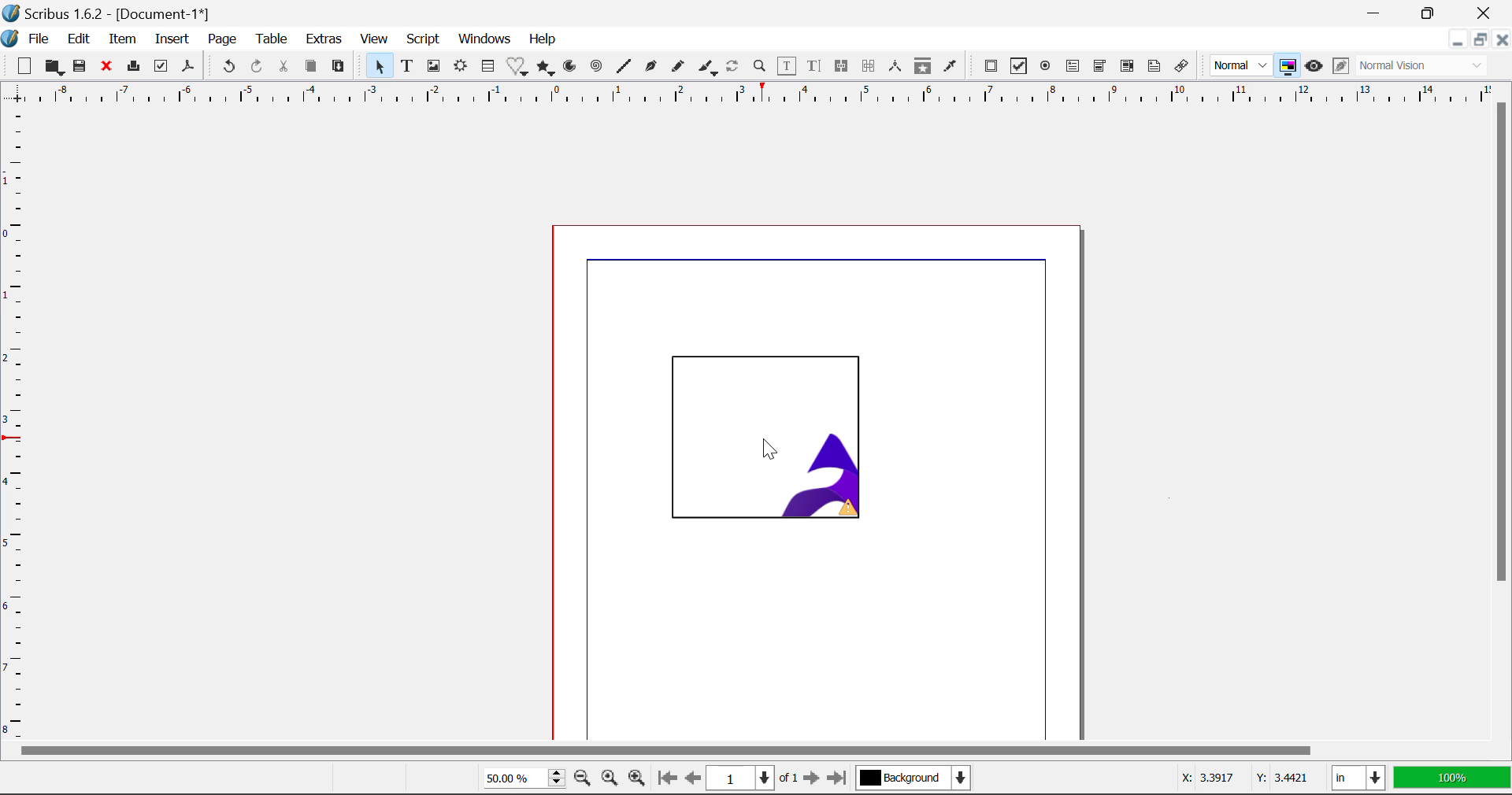 The height and width of the screenshot is (795, 1512). What do you see at coordinates (595, 68) in the screenshot?
I see `Spiral` at bounding box center [595, 68].